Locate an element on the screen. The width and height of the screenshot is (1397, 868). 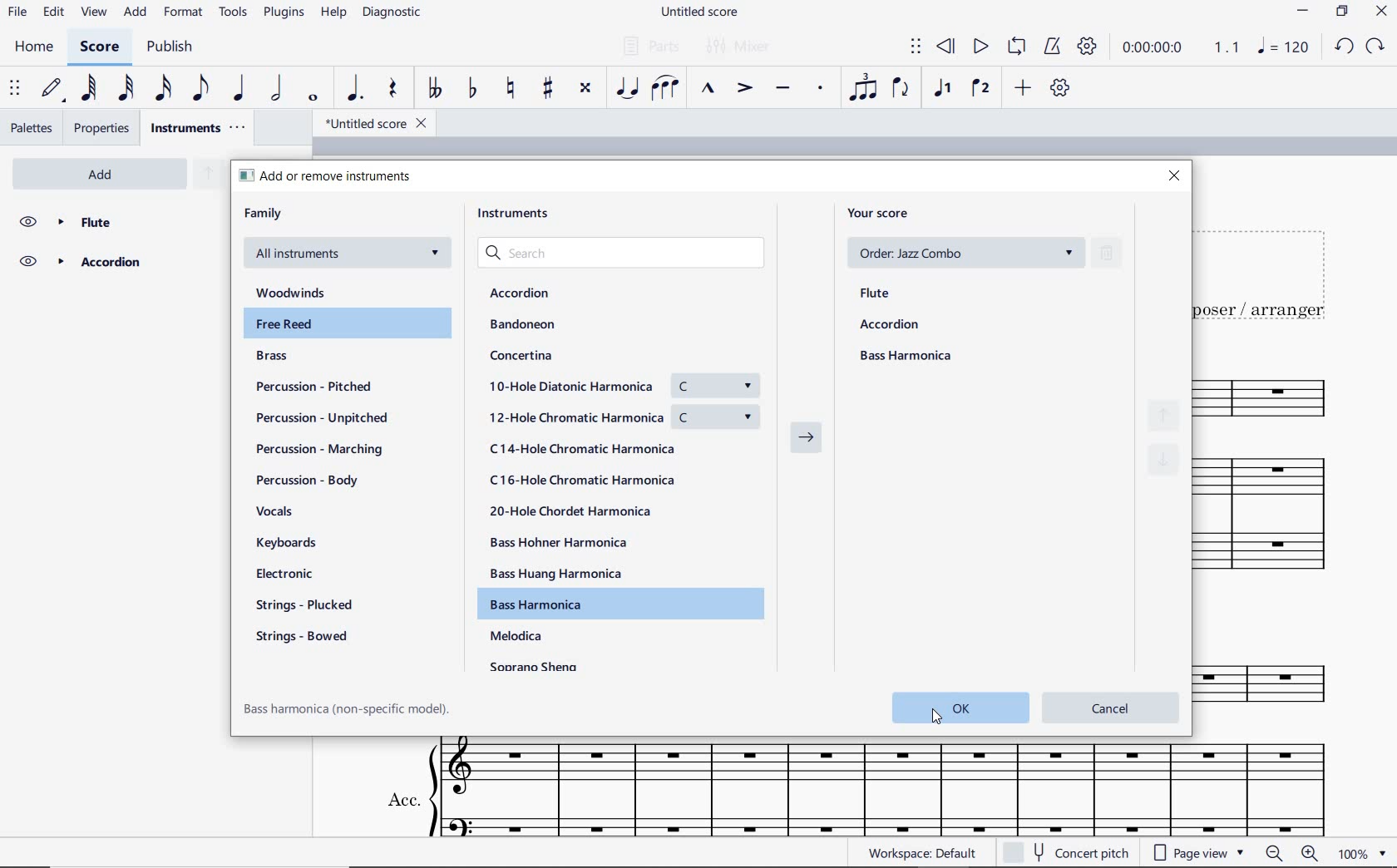
Free Reed is located at coordinates (348, 327).